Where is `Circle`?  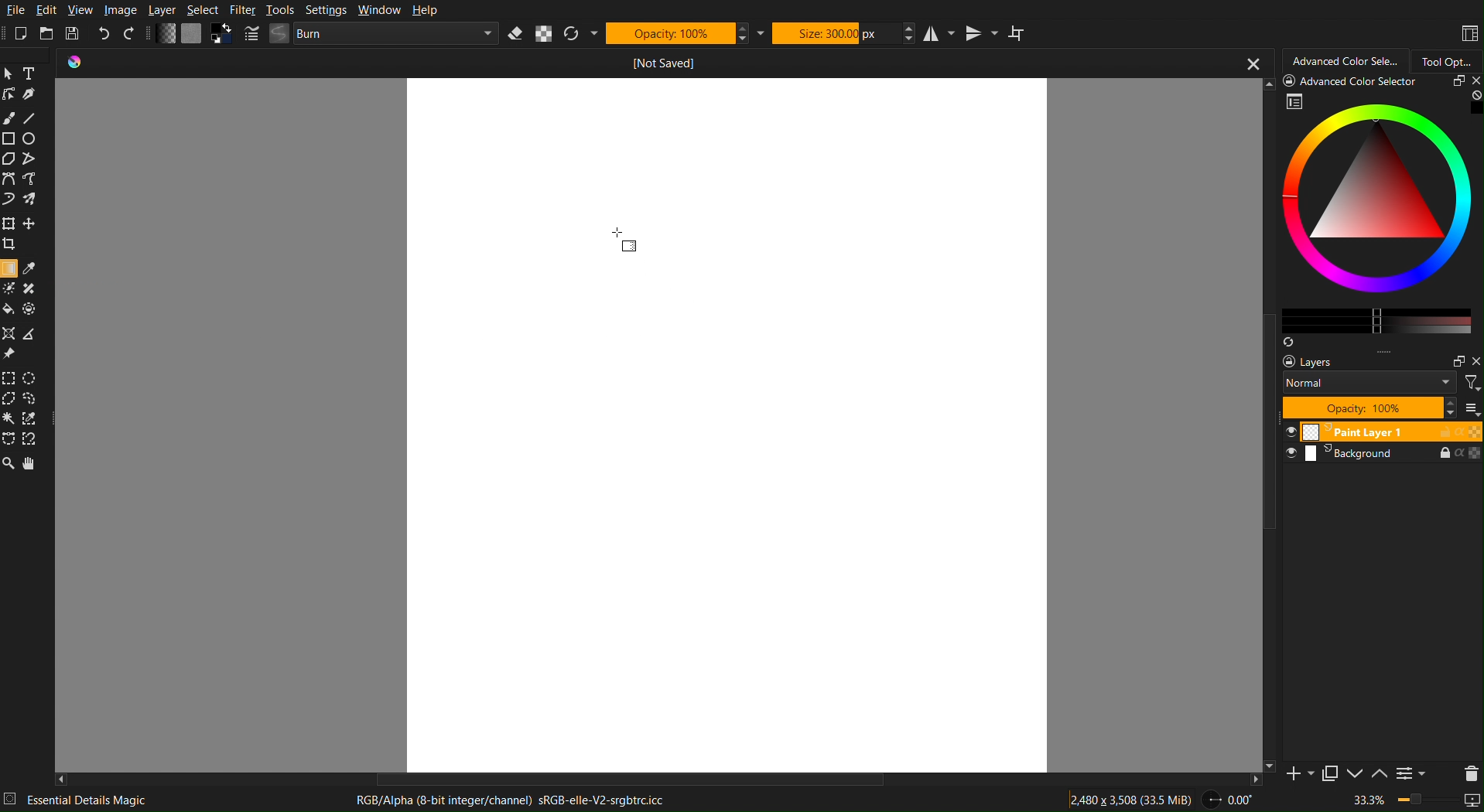 Circle is located at coordinates (31, 138).